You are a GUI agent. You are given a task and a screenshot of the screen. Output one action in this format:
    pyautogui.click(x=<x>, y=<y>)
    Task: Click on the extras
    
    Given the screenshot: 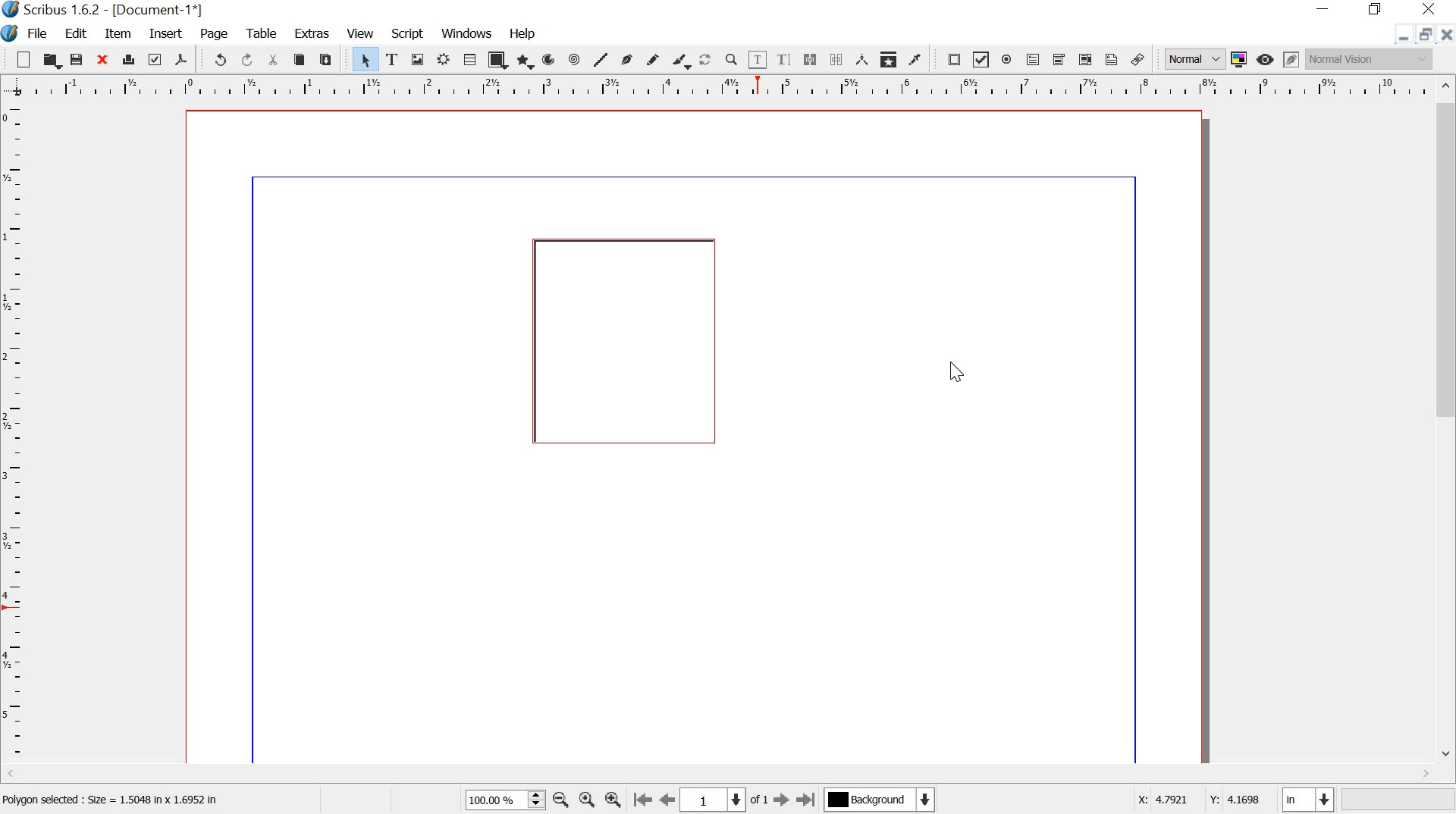 What is the action you would take?
    pyautogui.click(x=313, y=33)
    